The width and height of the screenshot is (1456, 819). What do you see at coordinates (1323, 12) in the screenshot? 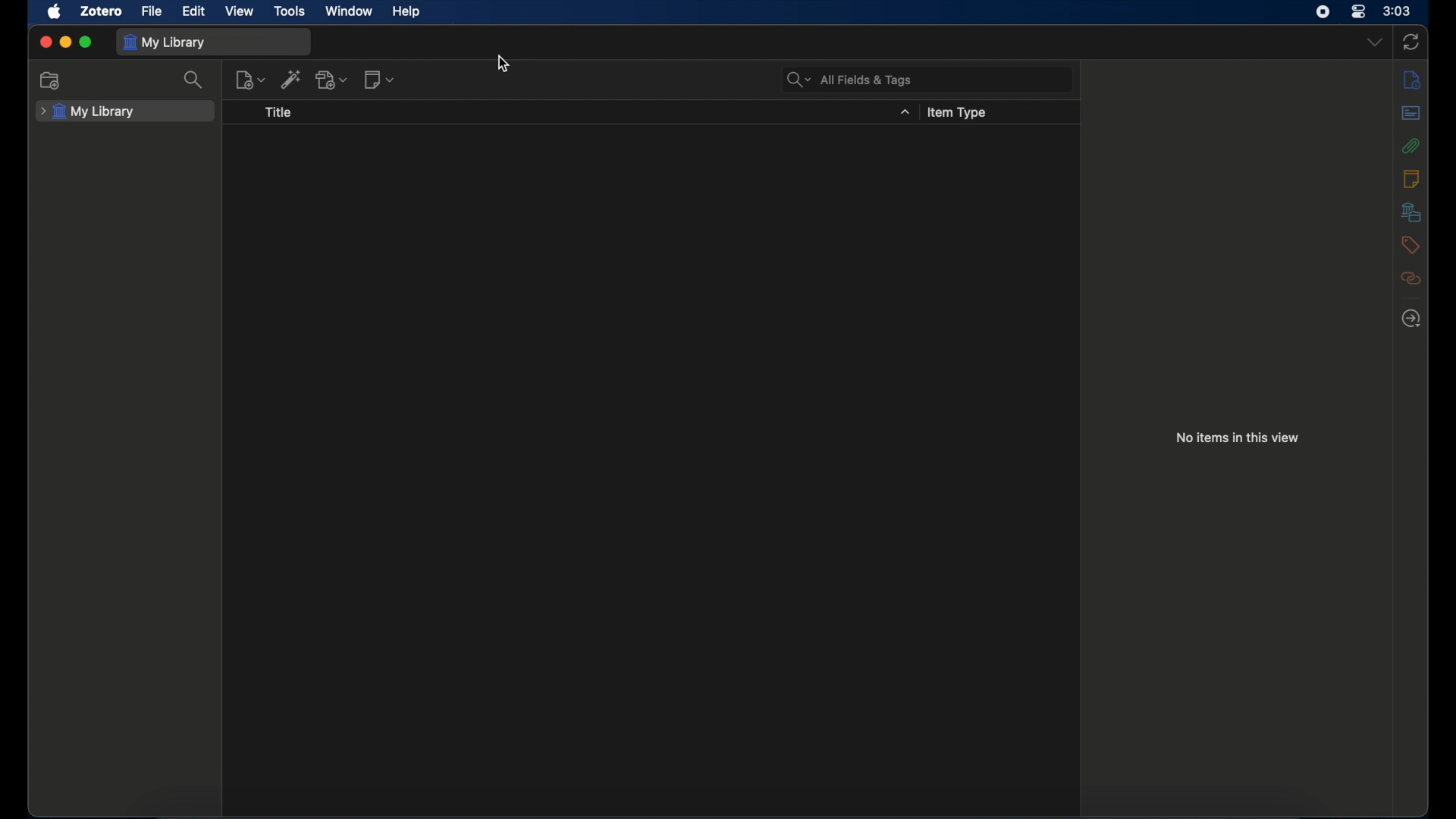
I see `screen recorder` at bounding box center [1323, 12].